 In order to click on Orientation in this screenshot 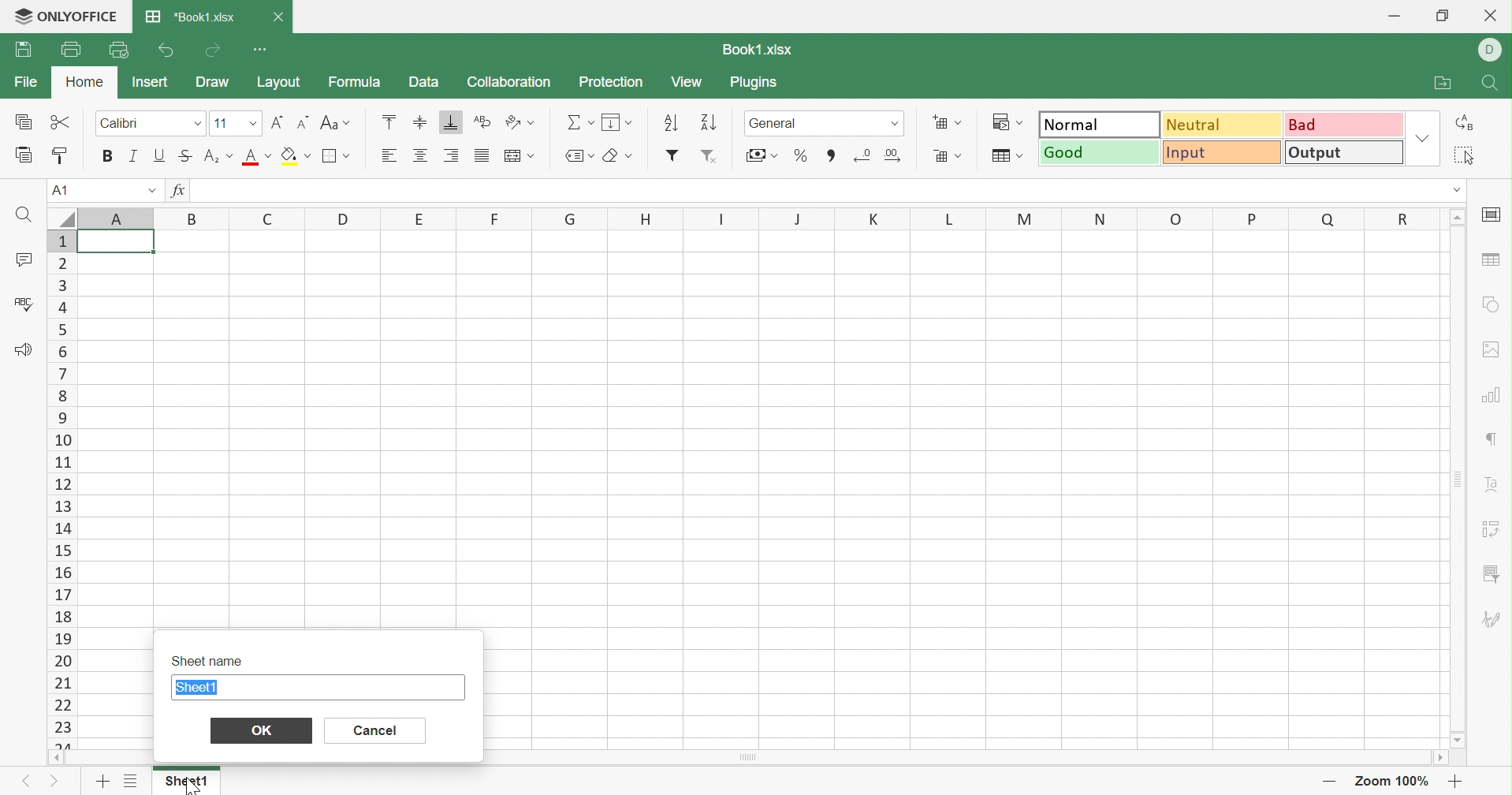, I will do `click(517, 122)`.